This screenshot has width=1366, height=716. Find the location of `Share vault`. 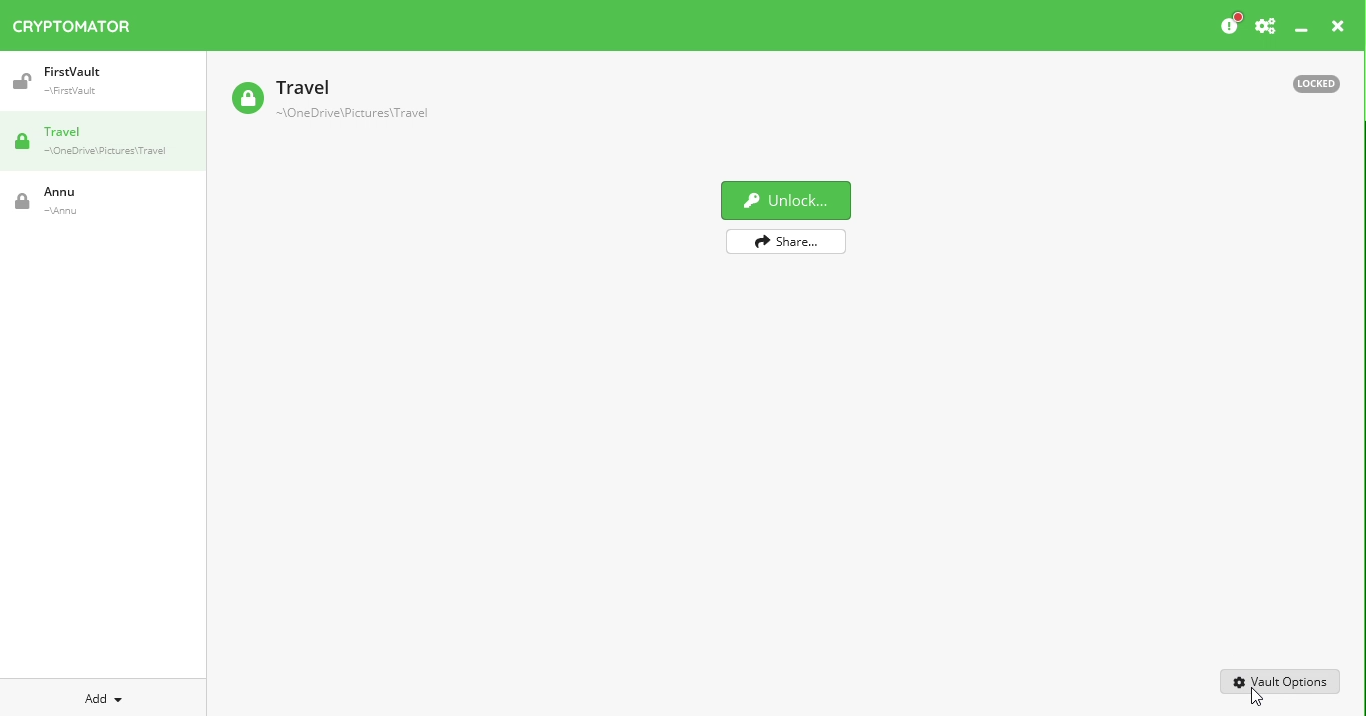

Share vault is located at coordinates (801, 242).